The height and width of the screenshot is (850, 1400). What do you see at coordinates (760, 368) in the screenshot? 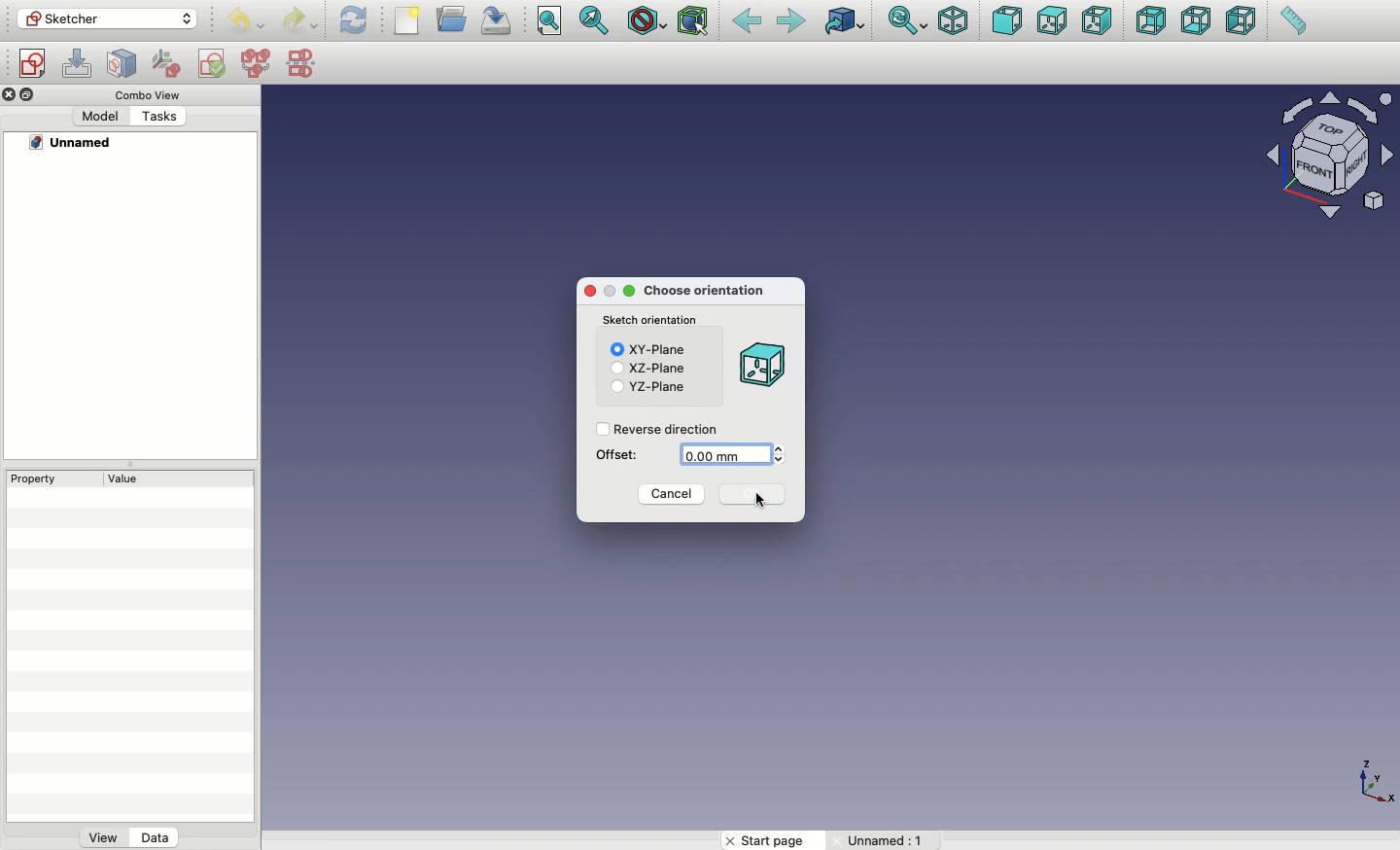
I see `Icon` at bounding box center [760, 368].